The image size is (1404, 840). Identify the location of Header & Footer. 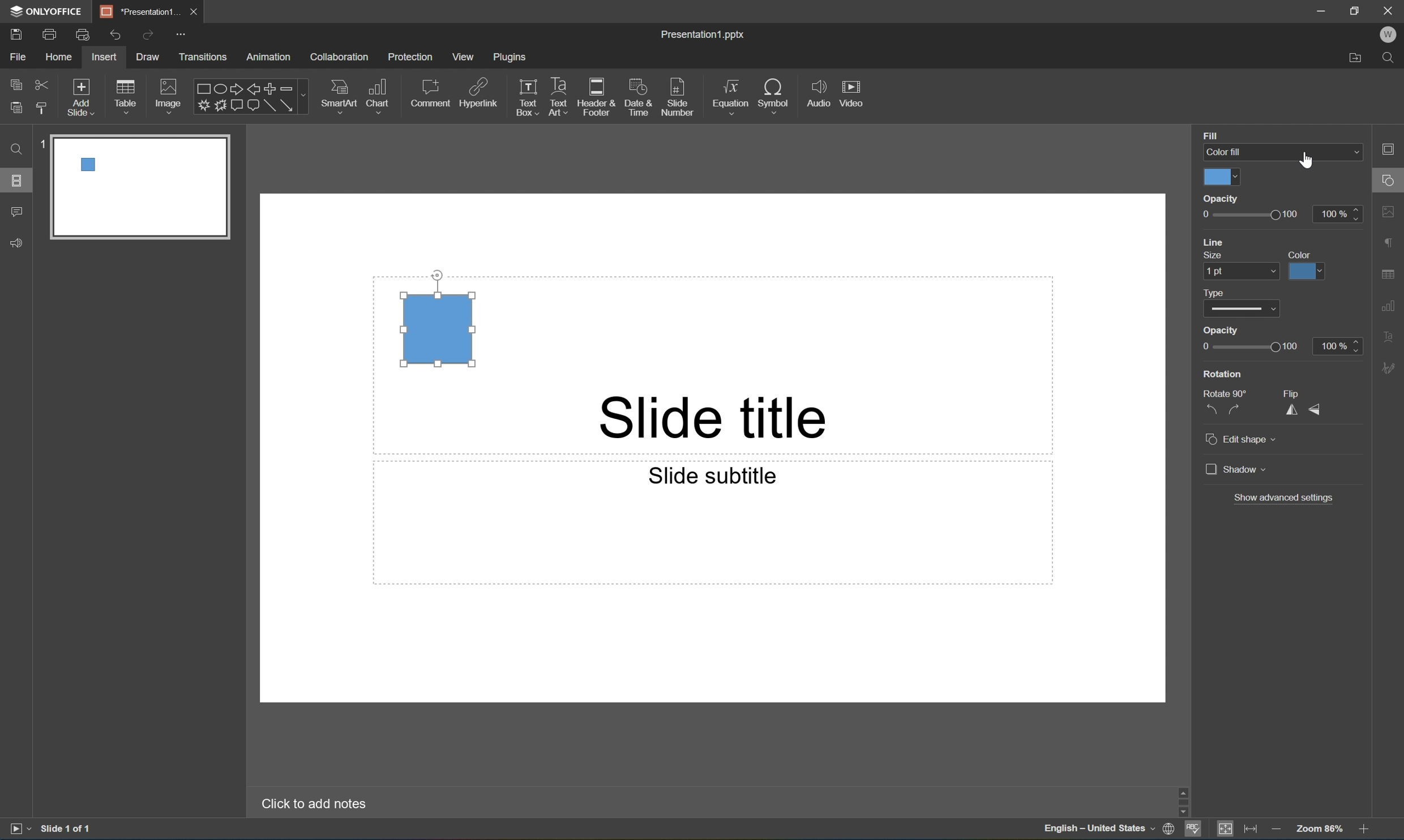
(596, 97).